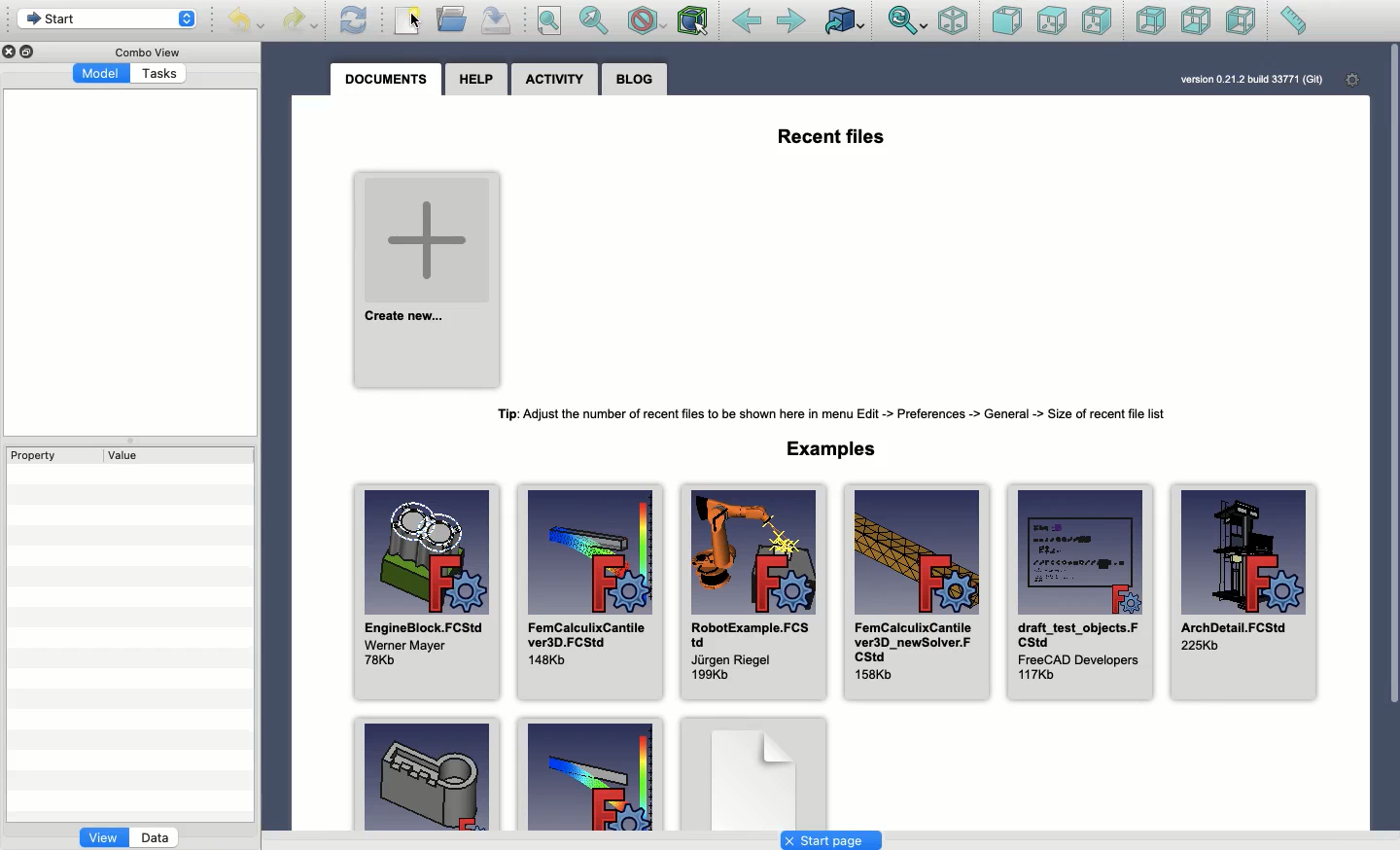 Image resolution: width=1400 pixels, height=850 pixels. What do you see at coordinates (428, 278) in the screenshot?
I see `Create new` at bounding box center [428, 278].